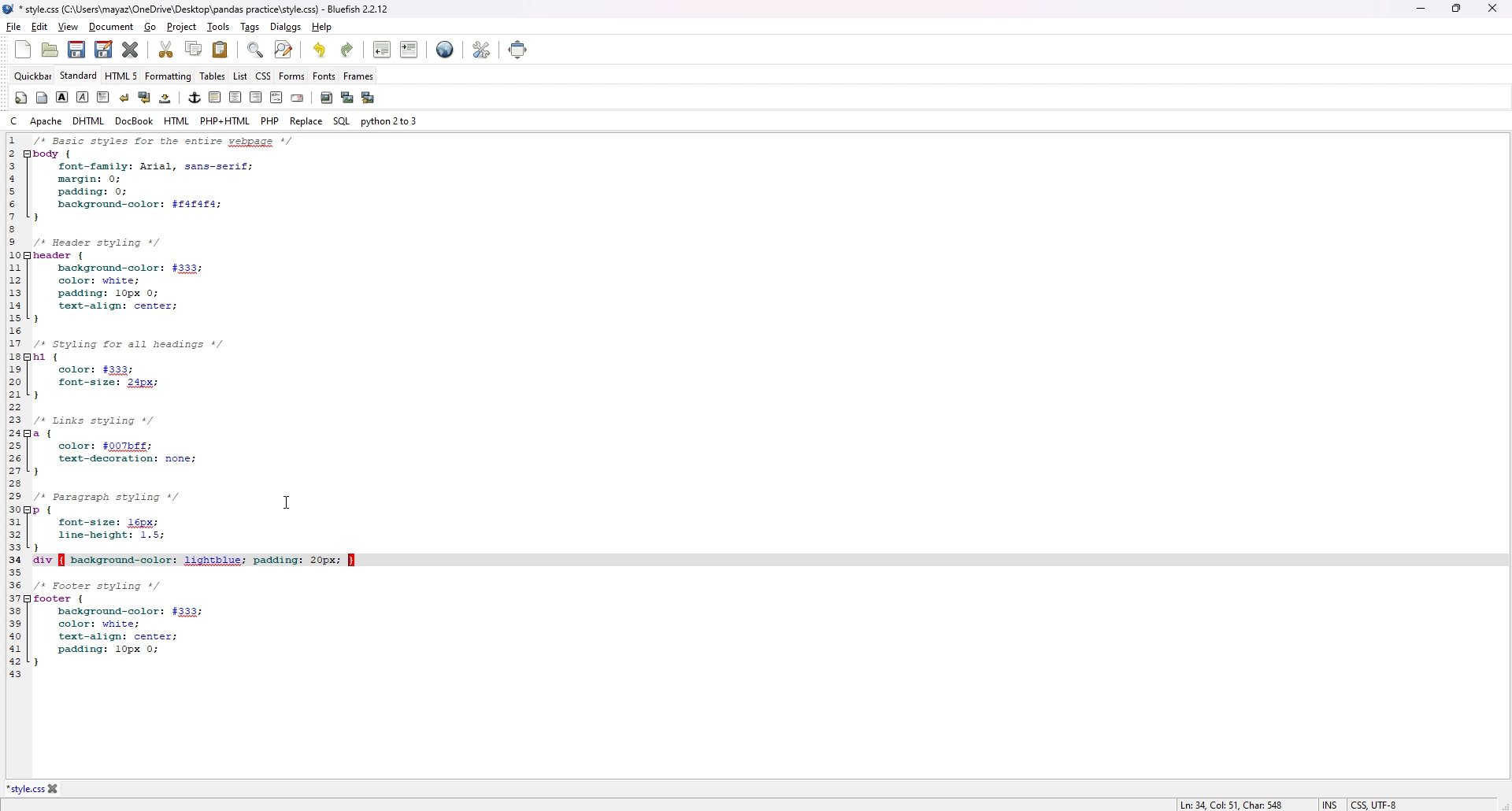 Image resolution: width=1512 pixels, height=811 pixels. Describe the element at coordinates (143, 97) in the screenshot. I see `break and clear` at that location.